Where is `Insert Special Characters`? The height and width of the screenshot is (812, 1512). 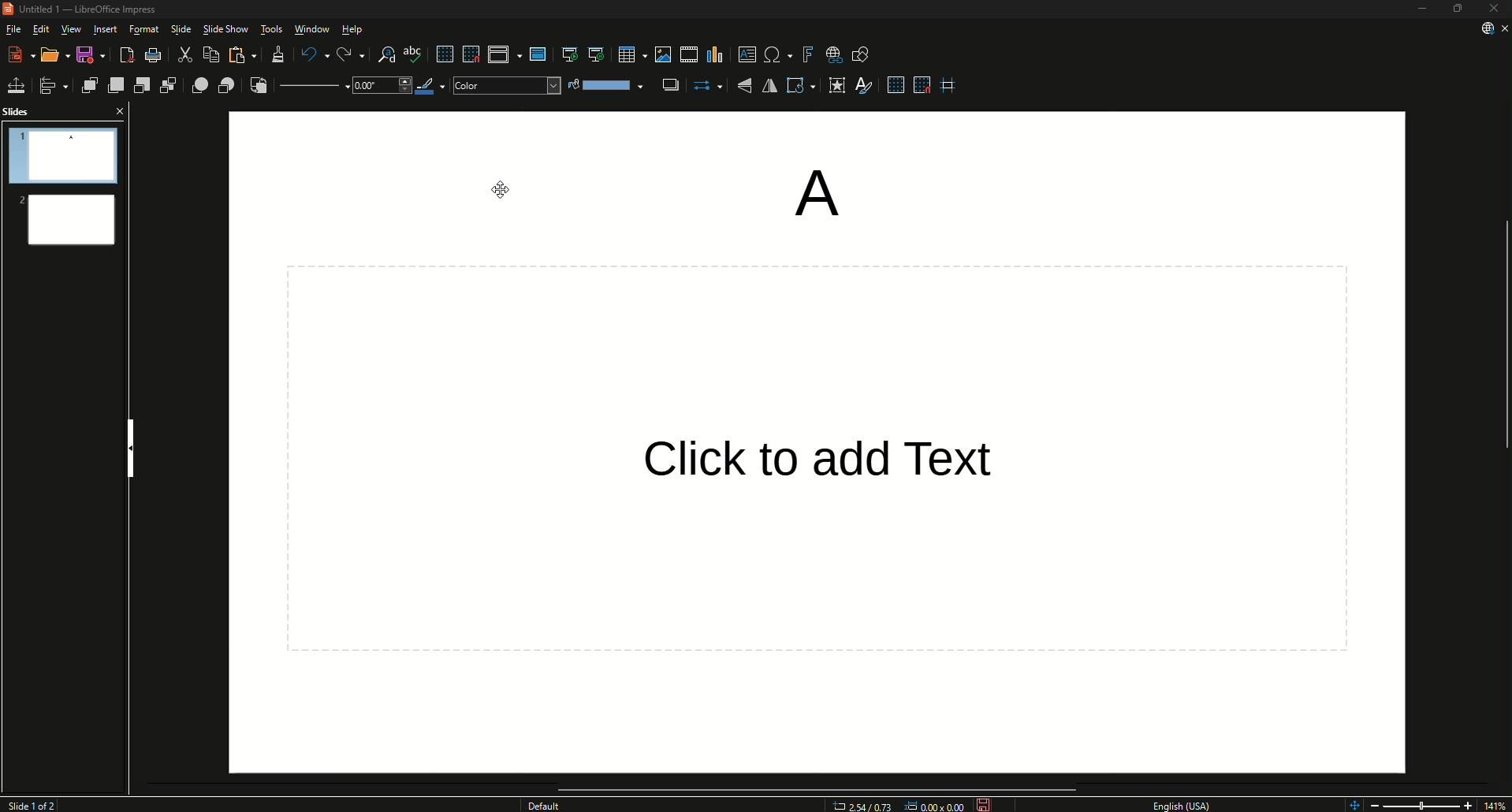
Insert Special Characters is located at coordinates (774, 54).